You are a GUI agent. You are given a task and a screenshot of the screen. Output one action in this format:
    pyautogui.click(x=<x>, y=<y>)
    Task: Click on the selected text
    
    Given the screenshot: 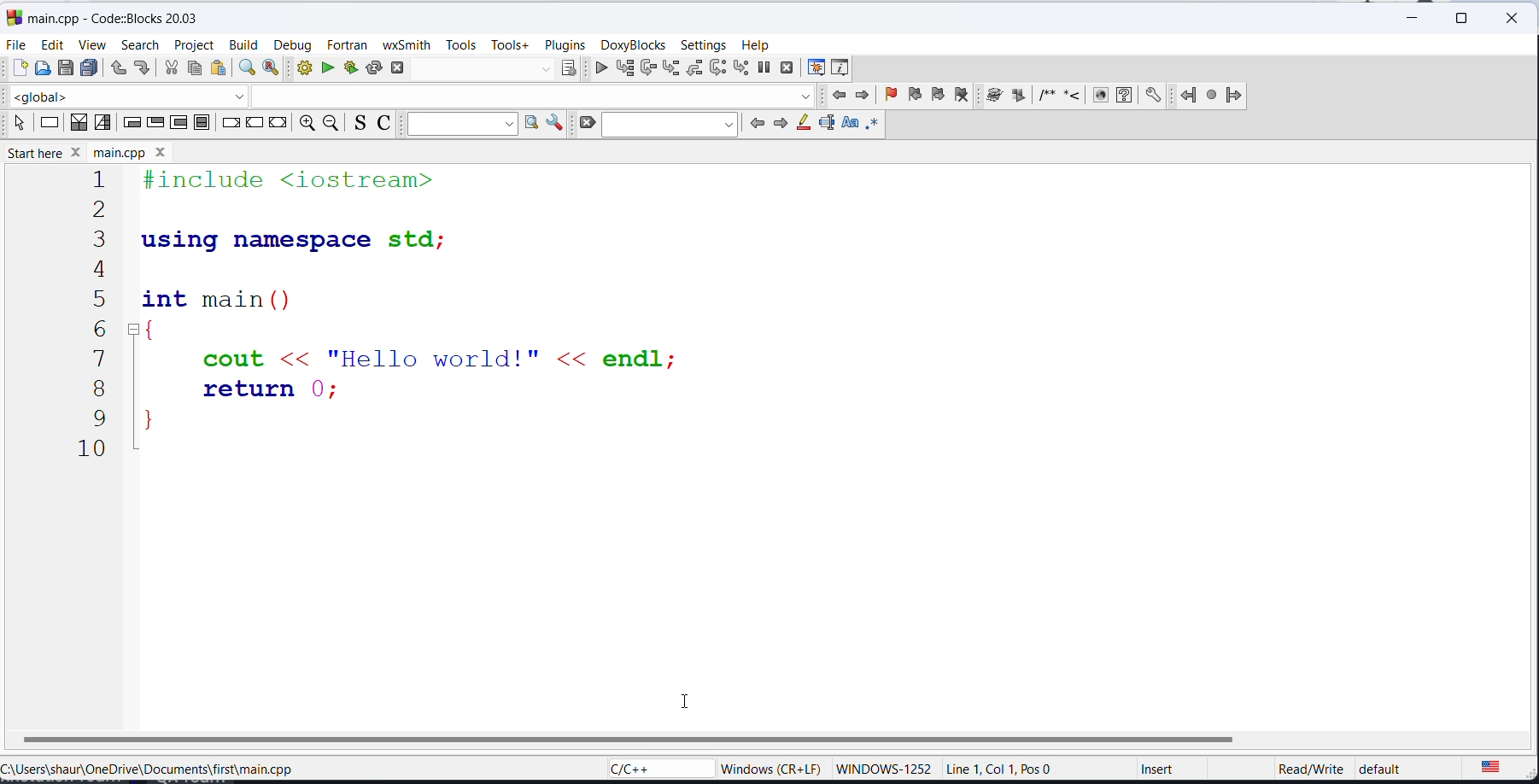 What is the action you would take?
    pyautogui.click(x=826, y=125)
    